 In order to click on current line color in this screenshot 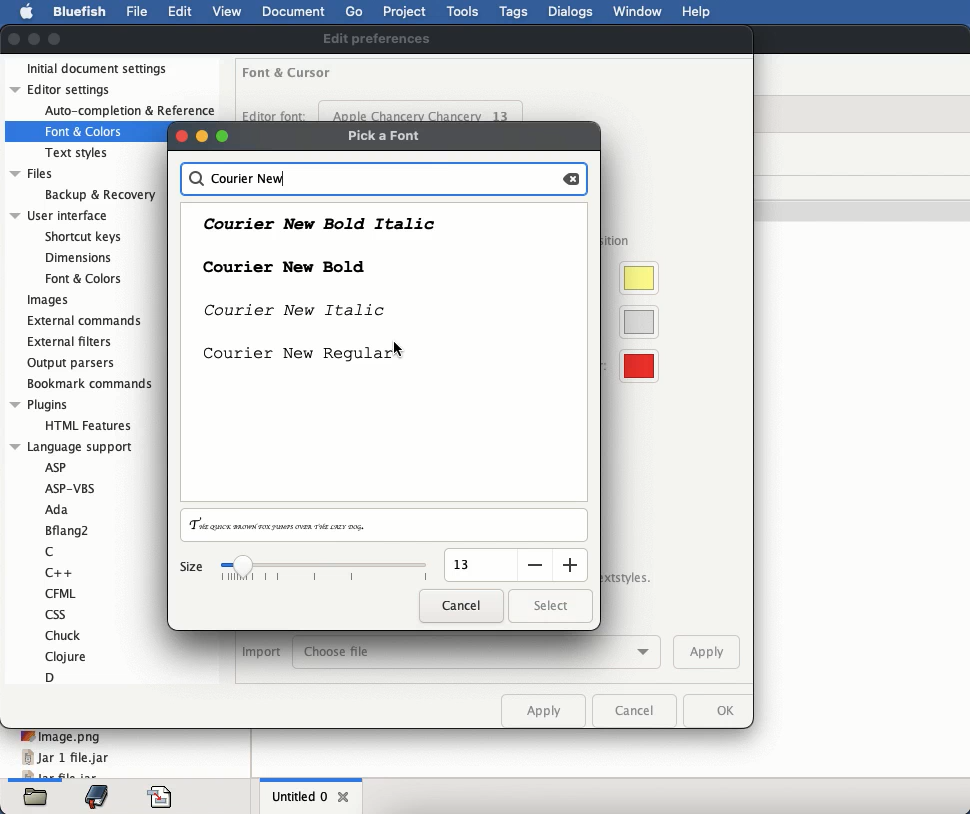, I will do `click(635, 323)`.